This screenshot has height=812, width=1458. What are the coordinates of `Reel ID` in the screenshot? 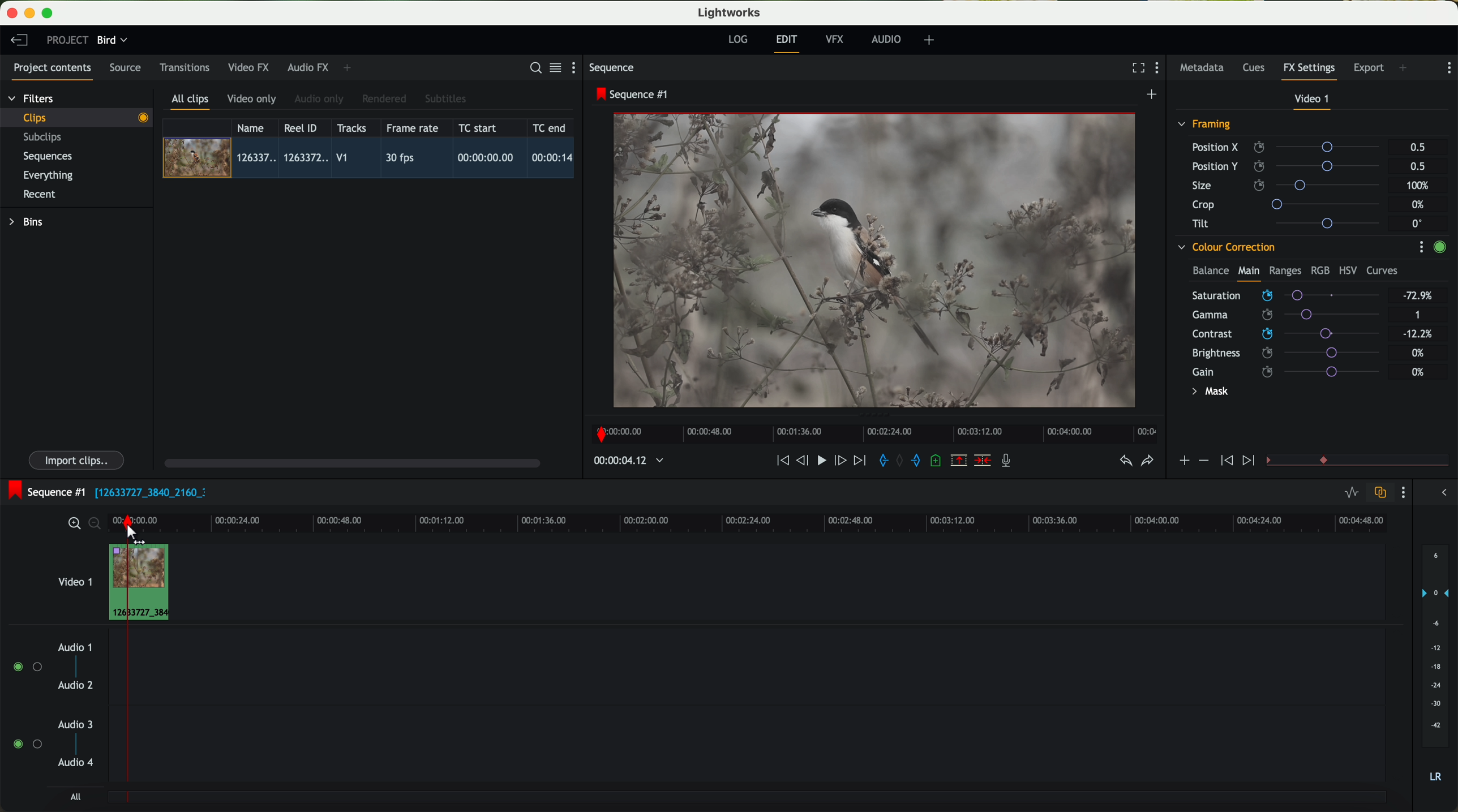 It's located at (303, 127).